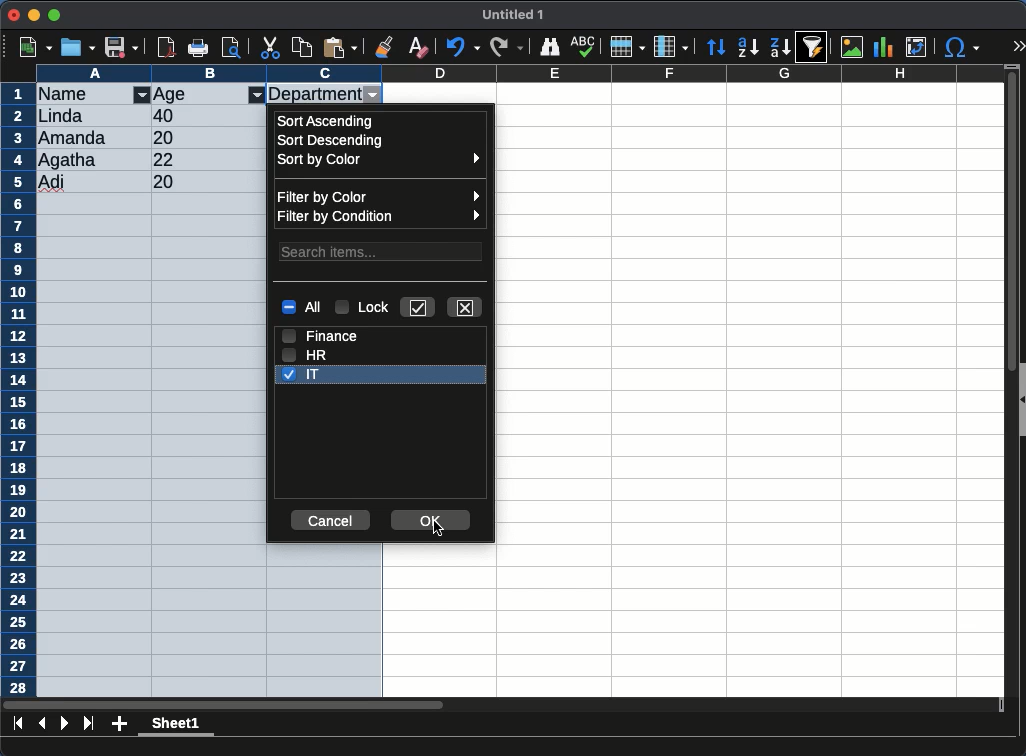 The image size is (1026, 756). What do you see at coordinates (1004, 386) in the screenshot?
I see `scroll` at bounding box center [1004, 386].